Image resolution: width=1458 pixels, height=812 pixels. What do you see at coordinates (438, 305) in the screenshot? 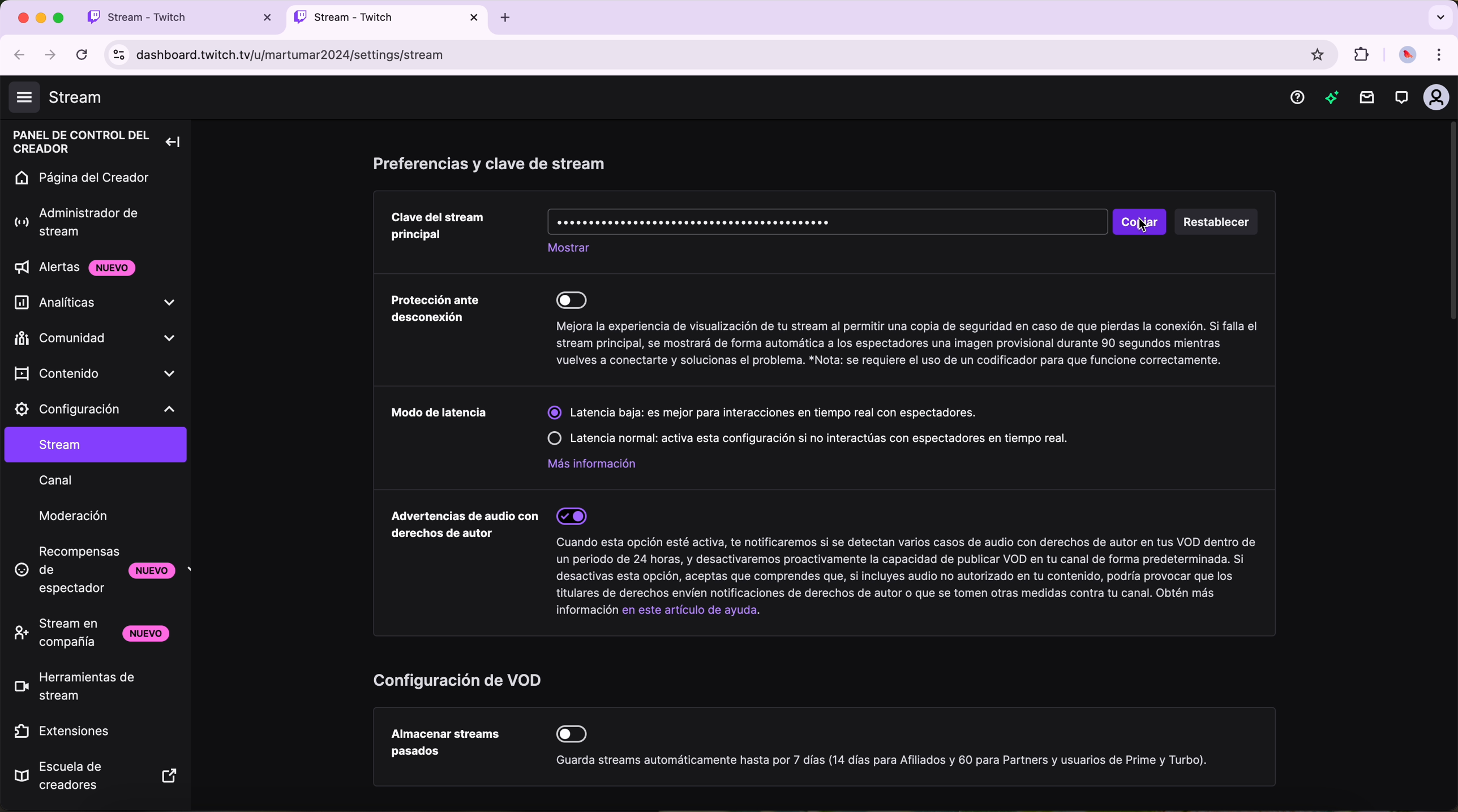
I see `disconnect protection` at bounding box center [438, 305].